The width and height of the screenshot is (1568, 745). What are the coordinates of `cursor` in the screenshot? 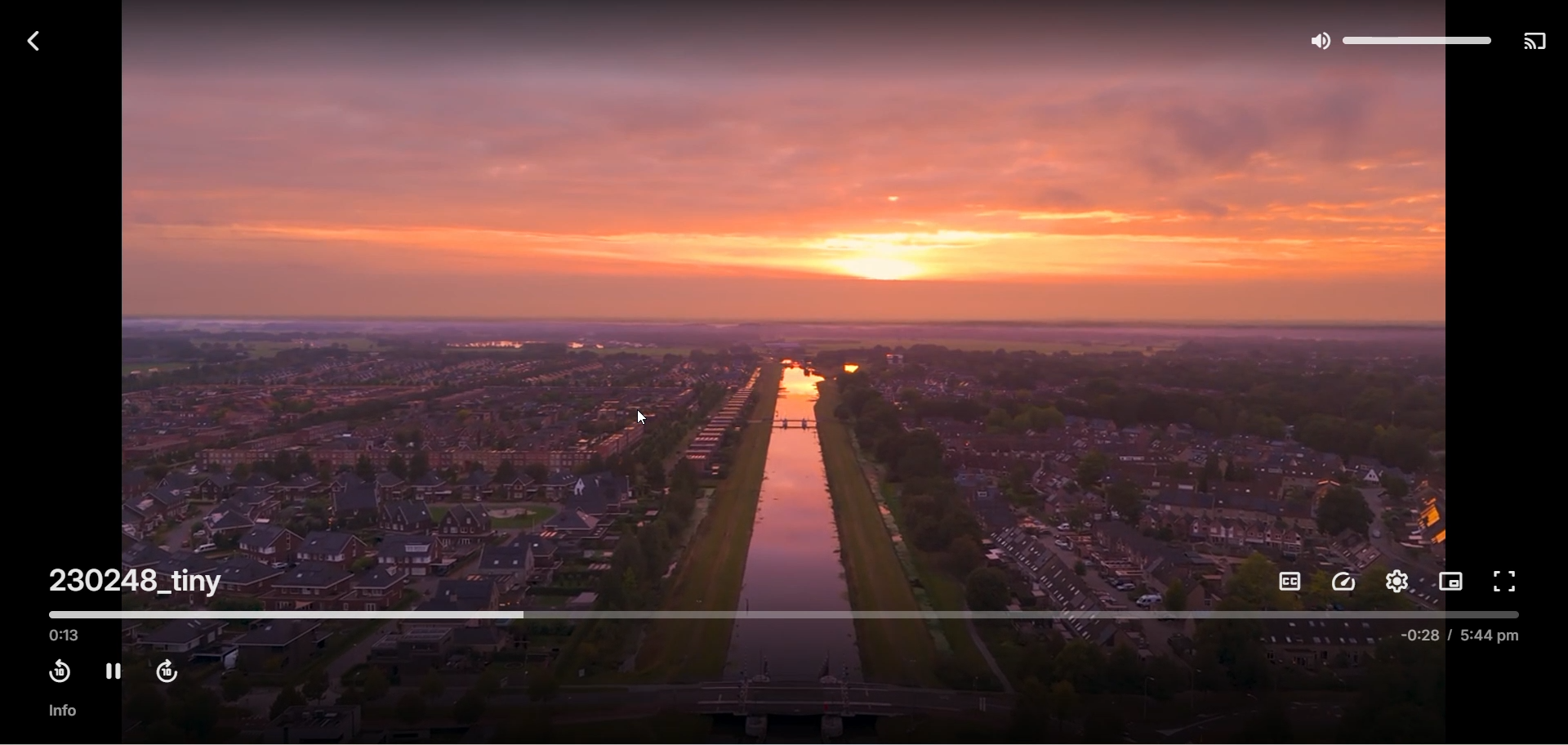 It's located at (644, 417).